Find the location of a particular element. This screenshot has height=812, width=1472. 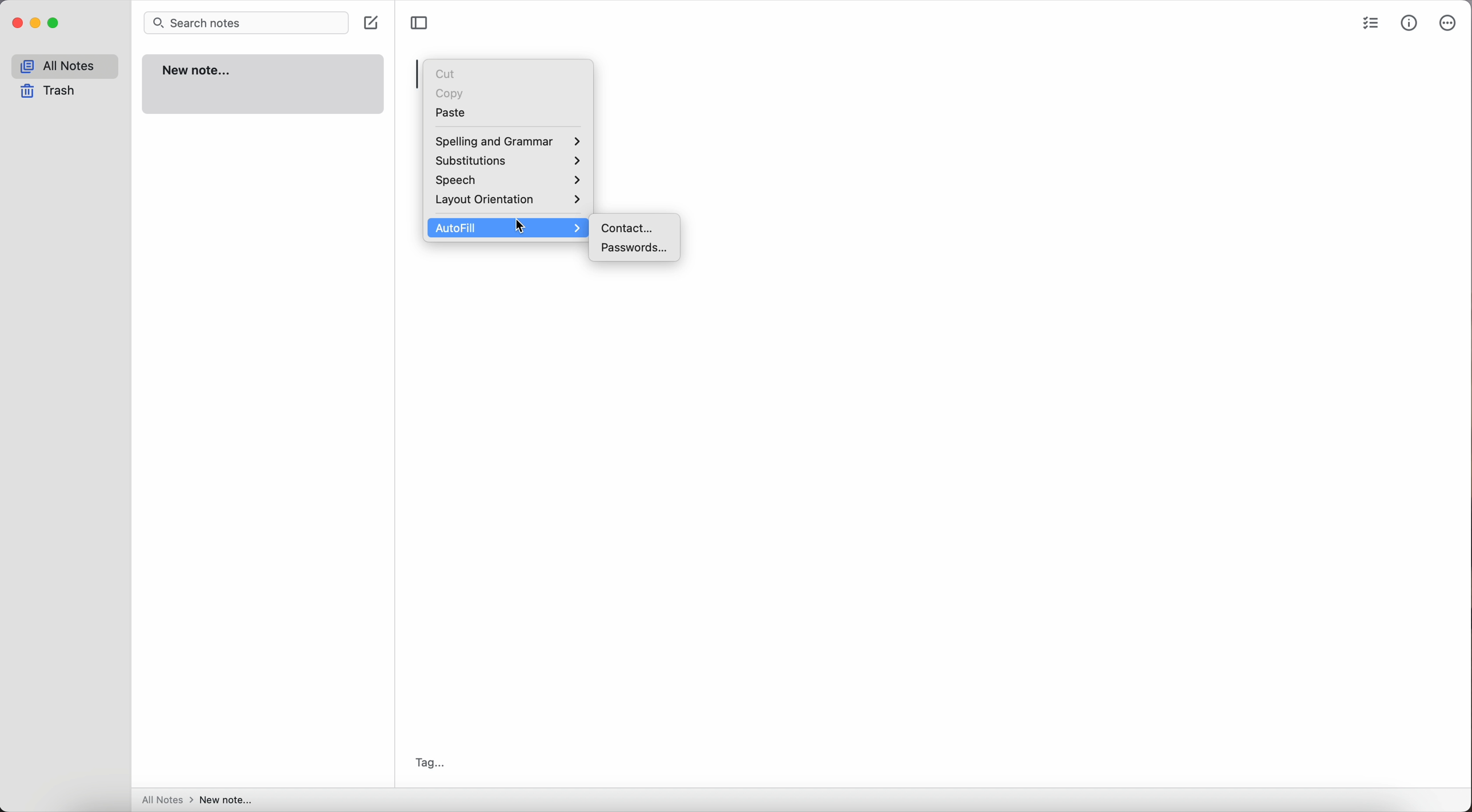

more options is located at coordinates (1449, 24).